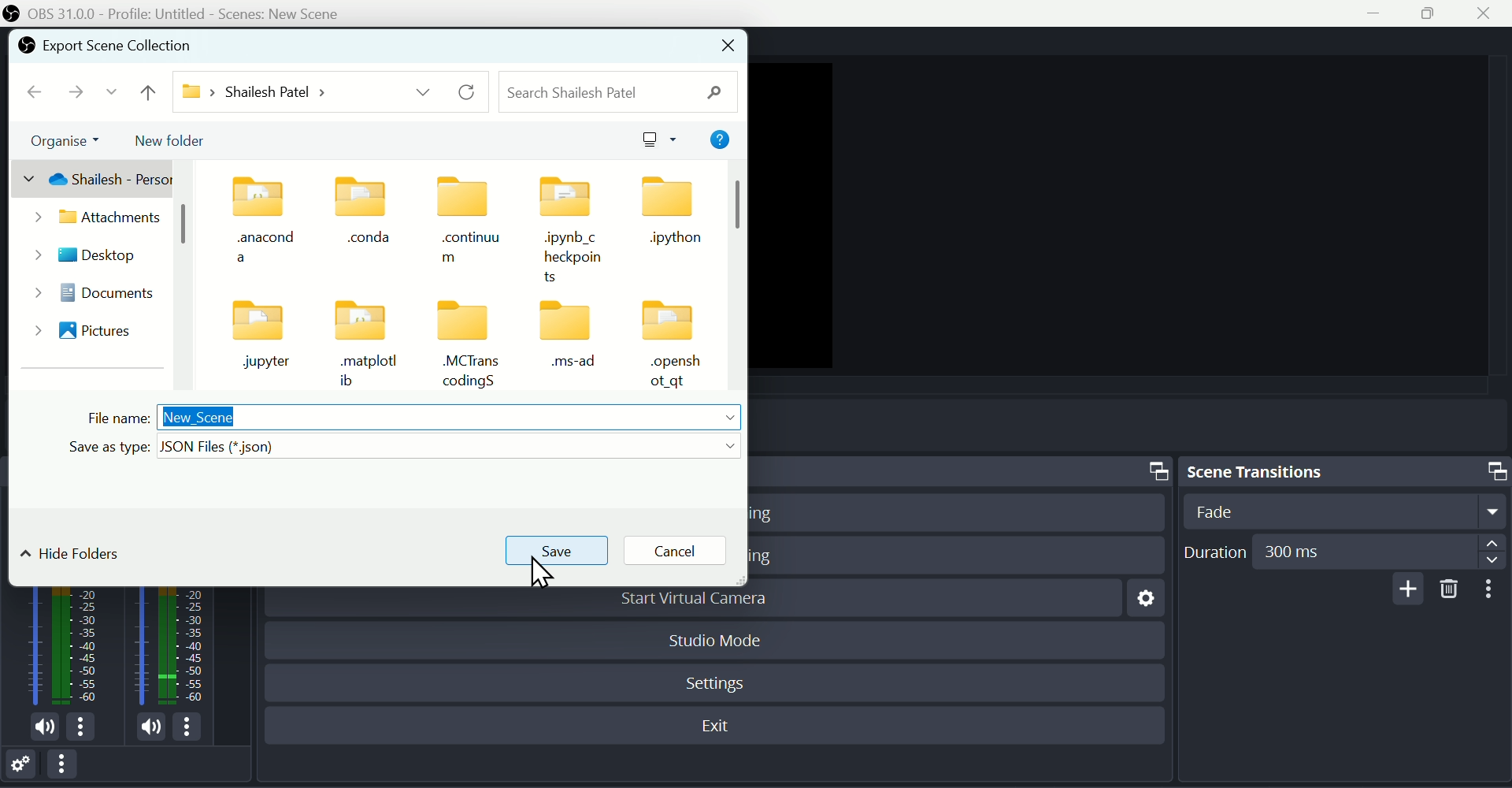 The width and height of the screenshot is (1512, 788). Describe the element at coordinates (676, 548) in the screenshot. I see `cancel` at that location.